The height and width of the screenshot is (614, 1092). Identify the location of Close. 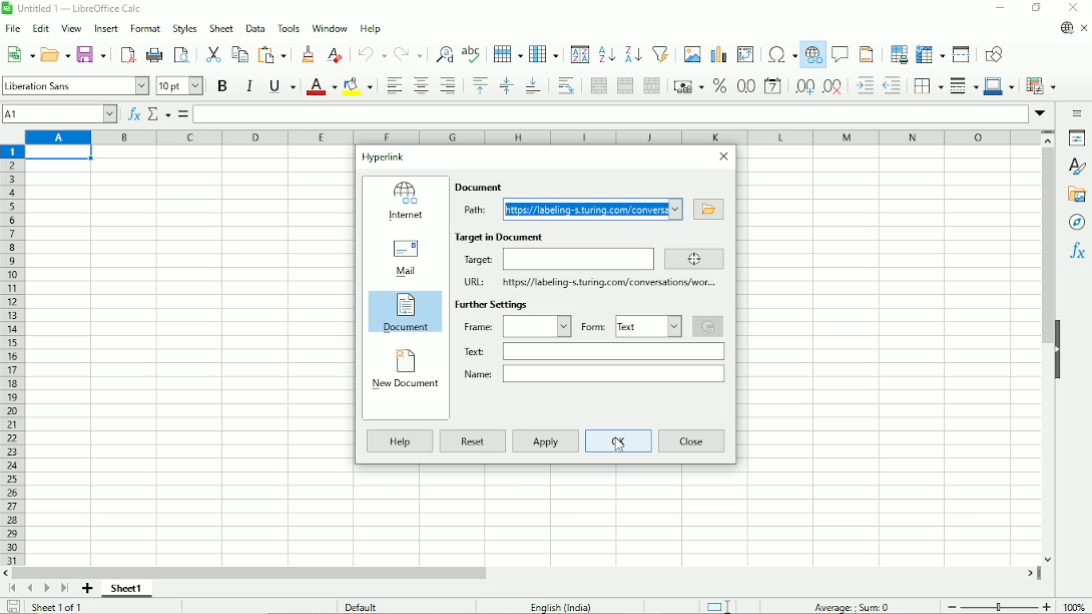
(725, 157).